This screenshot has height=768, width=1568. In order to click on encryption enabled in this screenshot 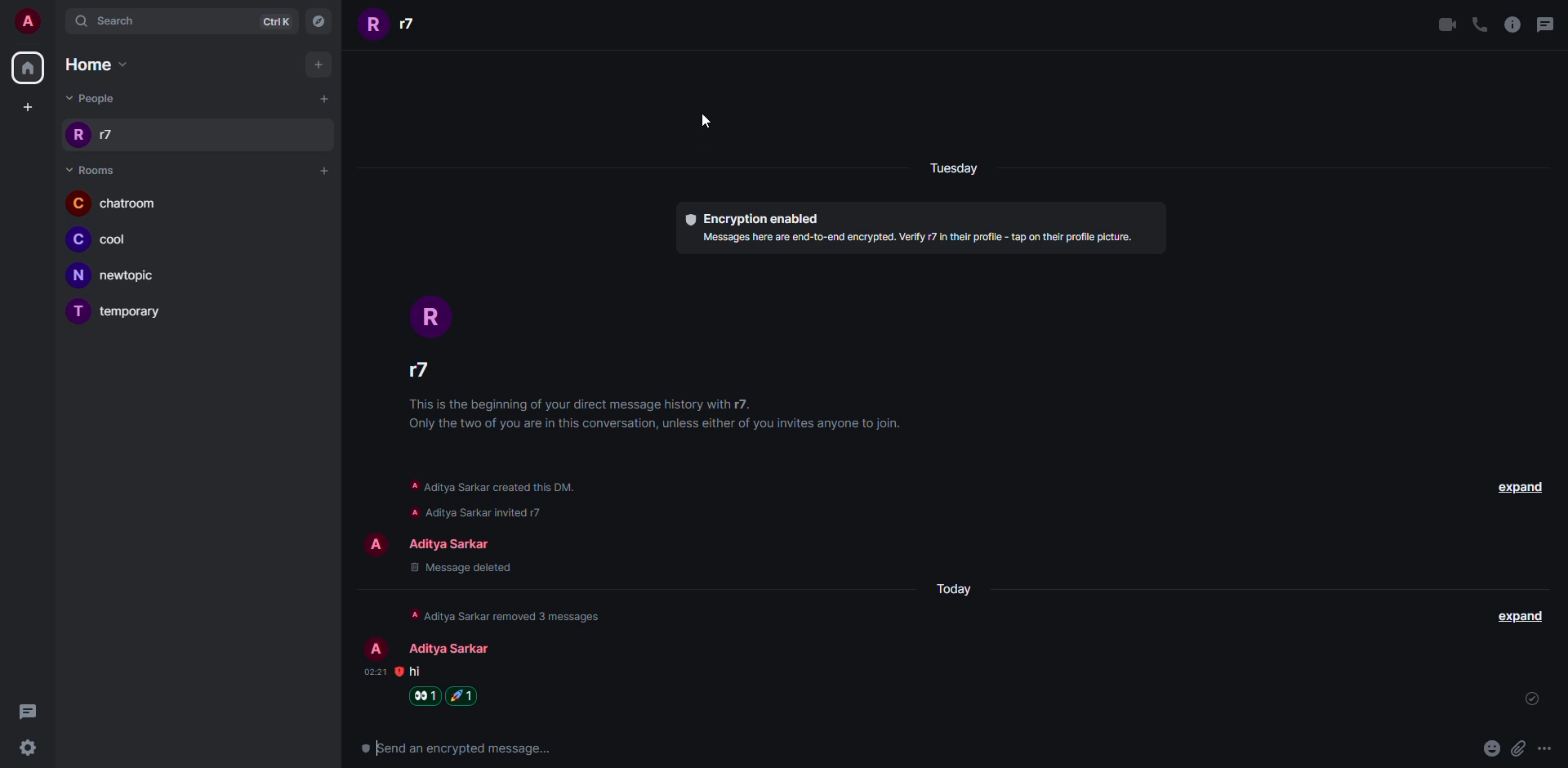, I will do `click(751, 218)`.